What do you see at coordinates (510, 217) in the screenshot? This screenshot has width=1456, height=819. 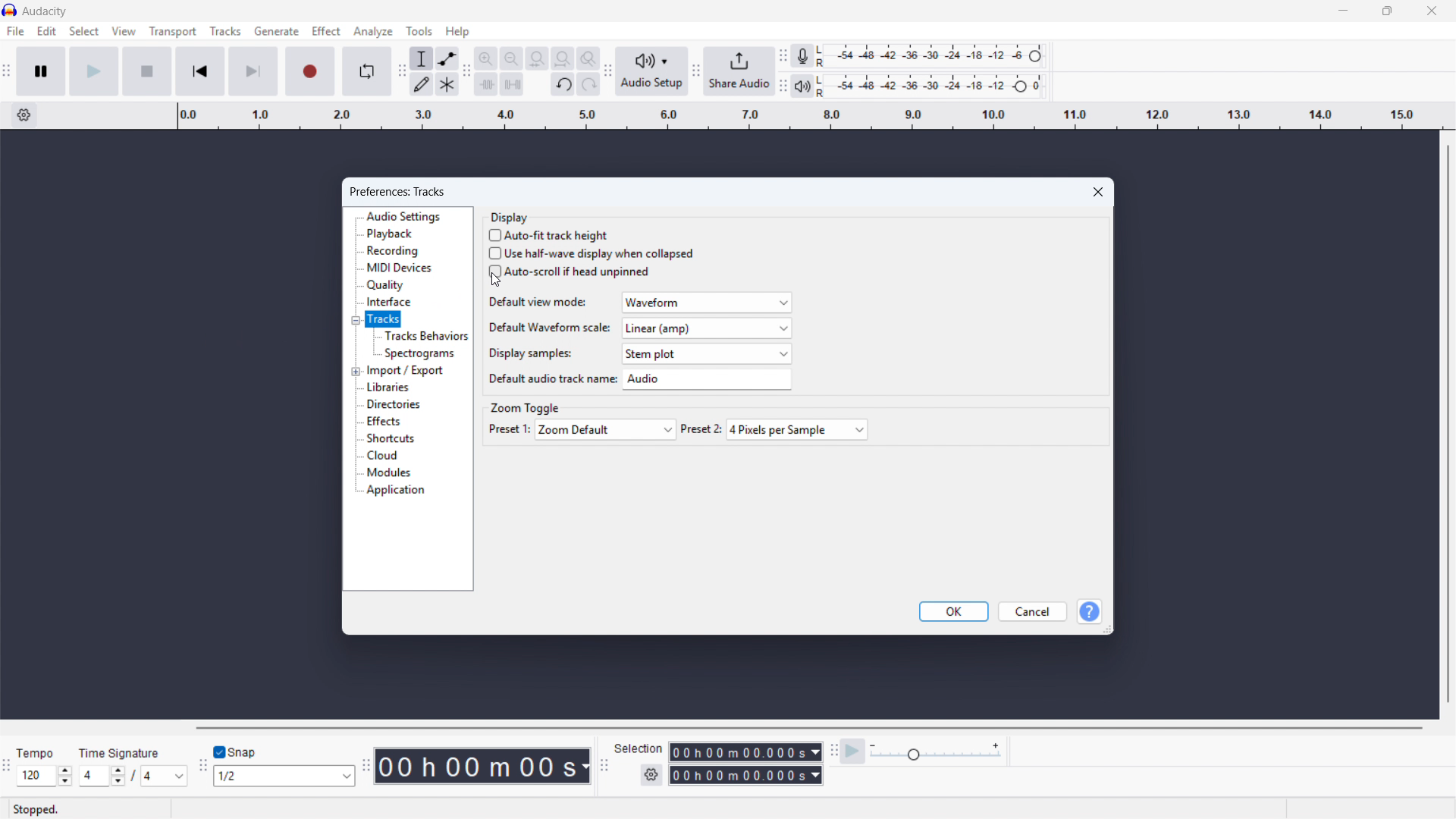 I see `display` at bounding box center [510, 217].